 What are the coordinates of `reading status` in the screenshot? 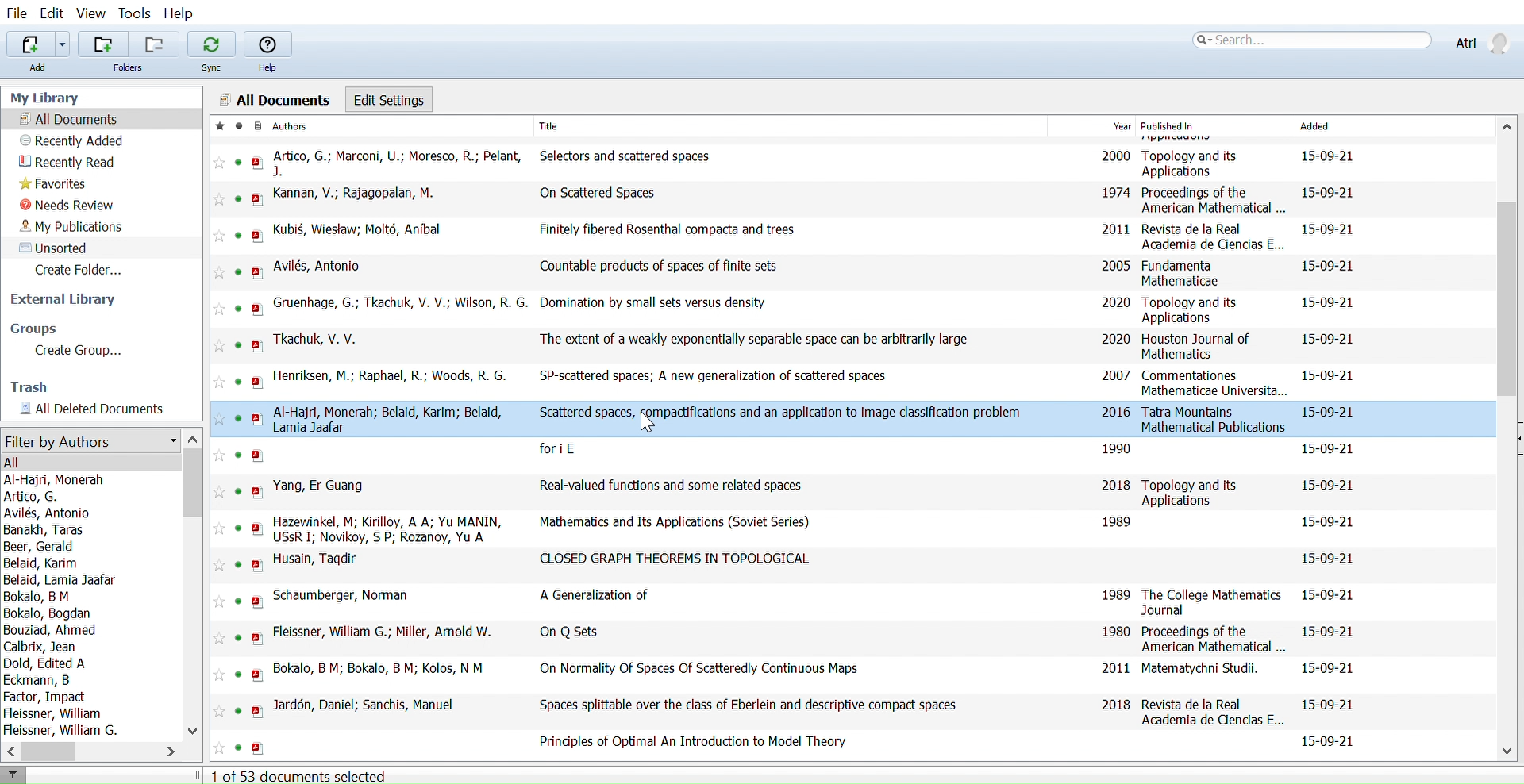 It's located at (237, 602).